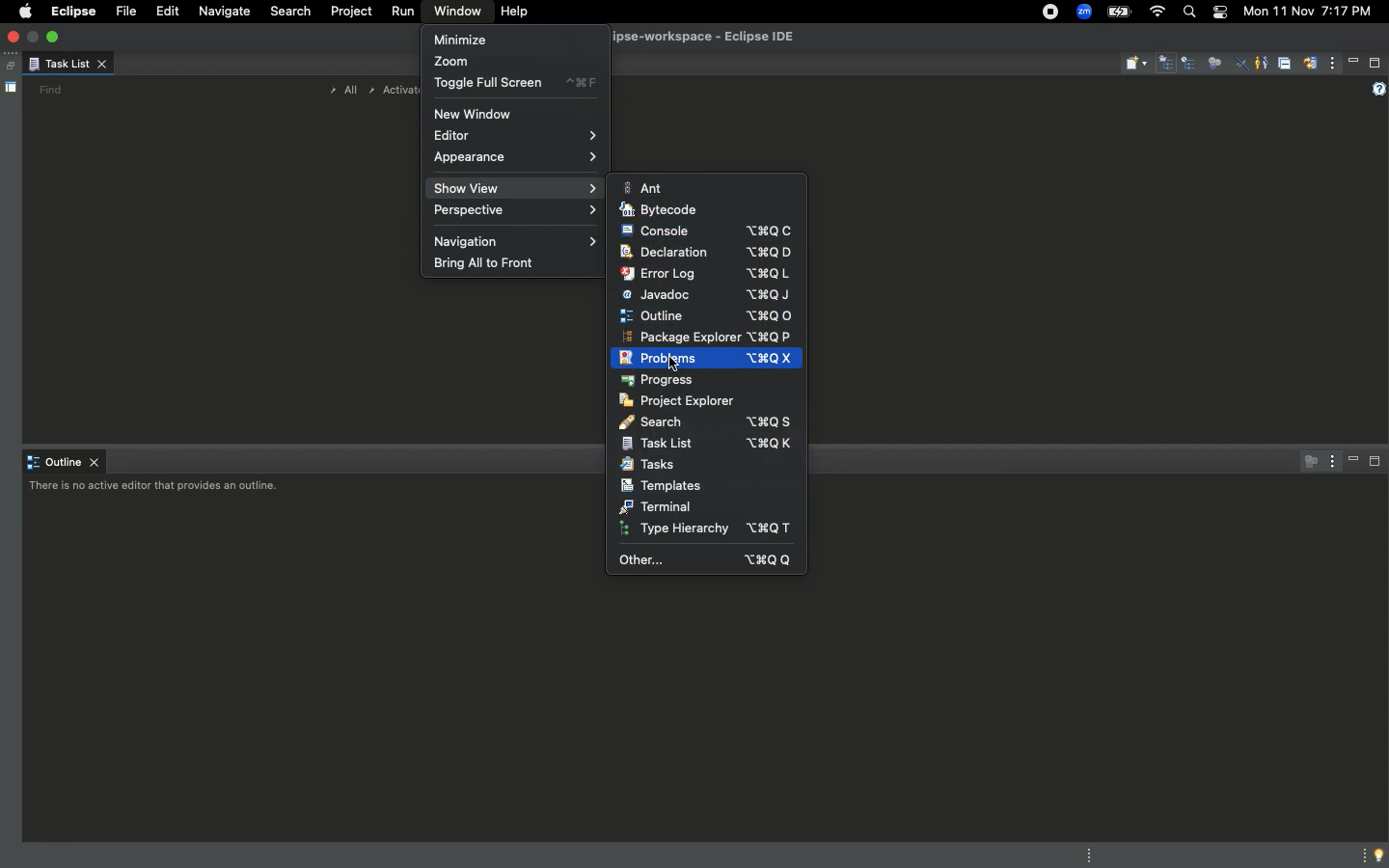  I want to click on New window, so click(475, 113).